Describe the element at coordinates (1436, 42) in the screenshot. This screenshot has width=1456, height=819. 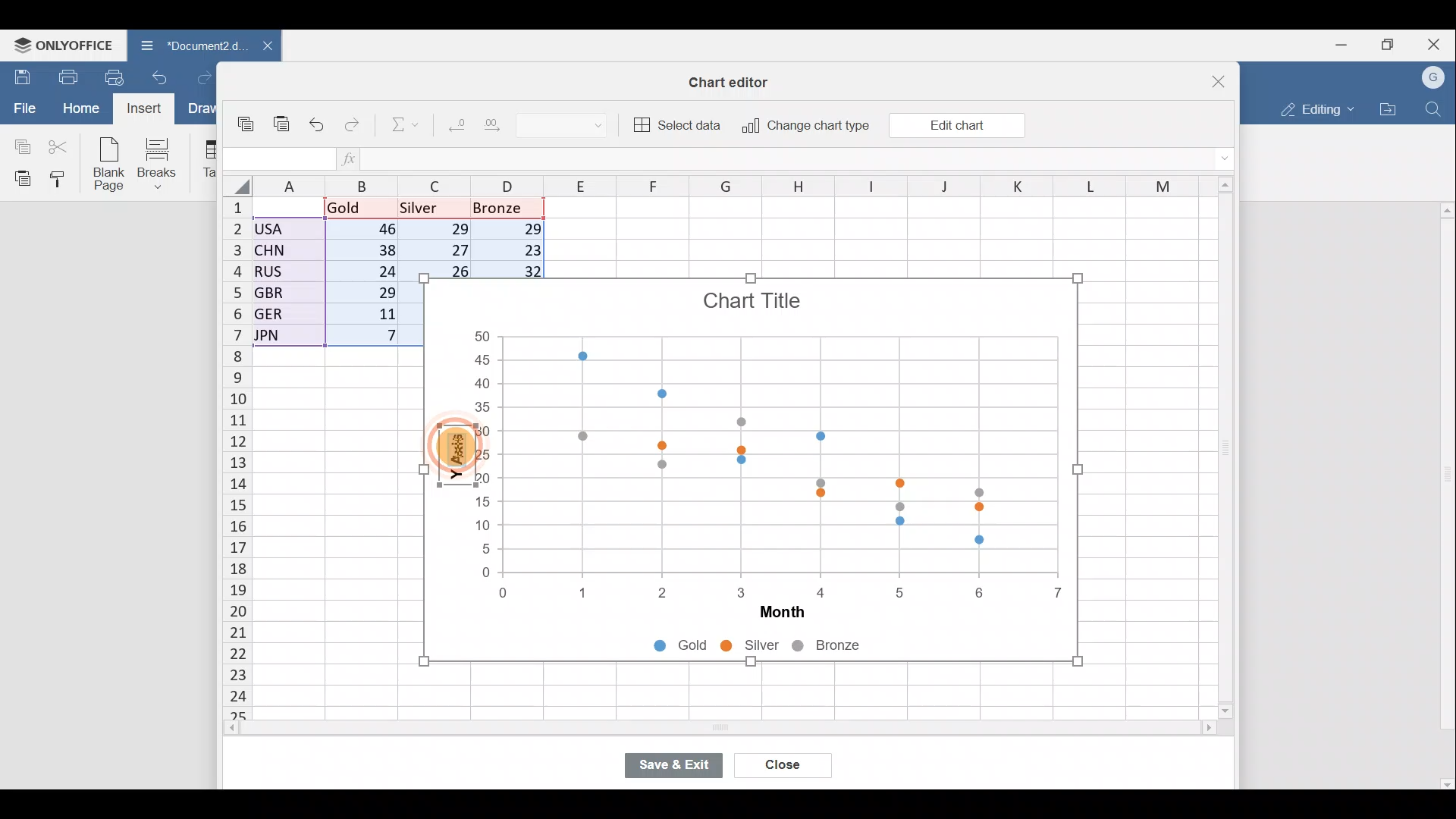
I see `Close` at that location.